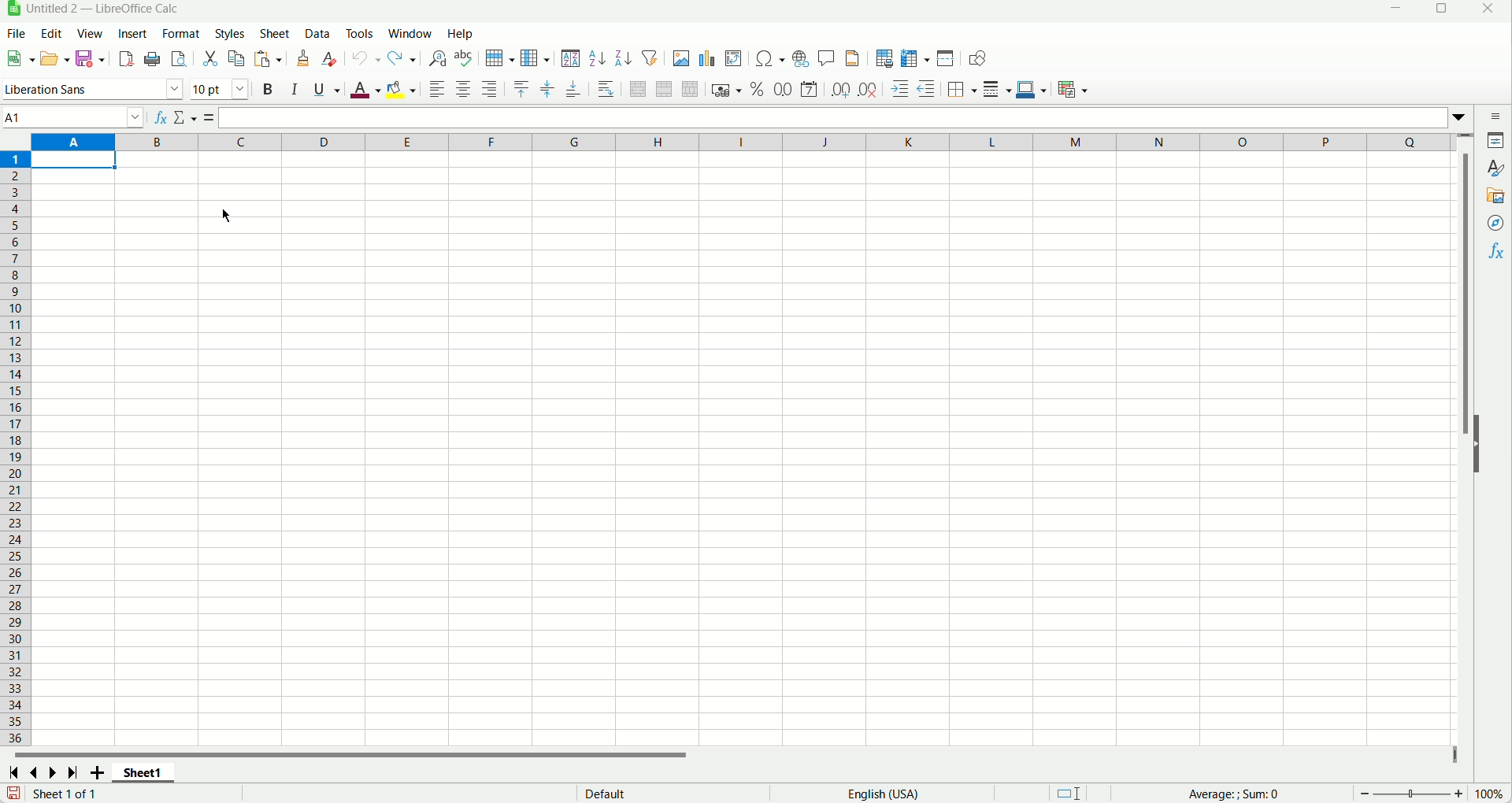 This screenshot has height=803, width=1512. Describe the element at coordinates (946, 58) in the screenshot. I see `Split window` at that location.